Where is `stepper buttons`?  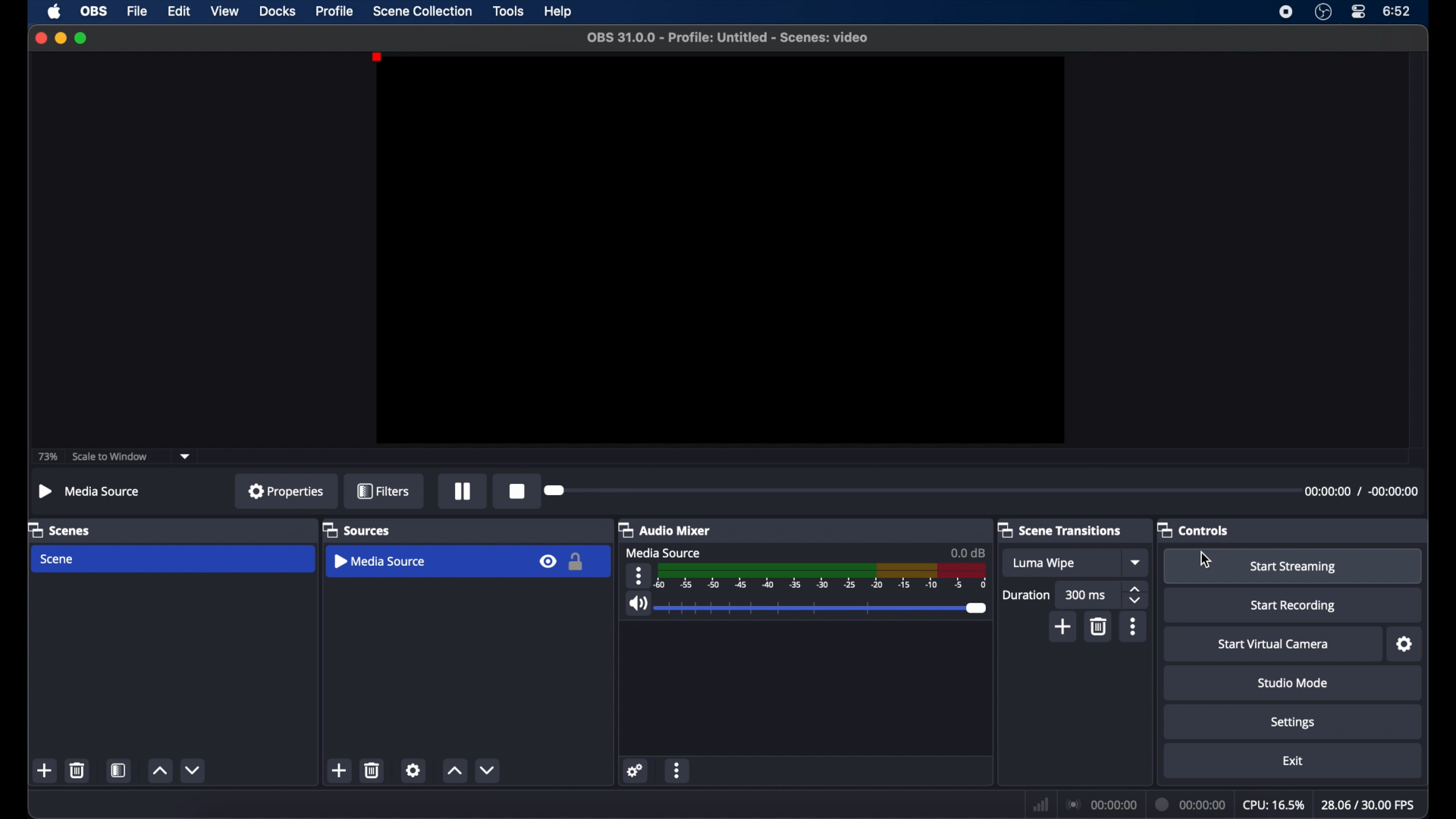
stepper buttons is located at coordinates (1137, 595).